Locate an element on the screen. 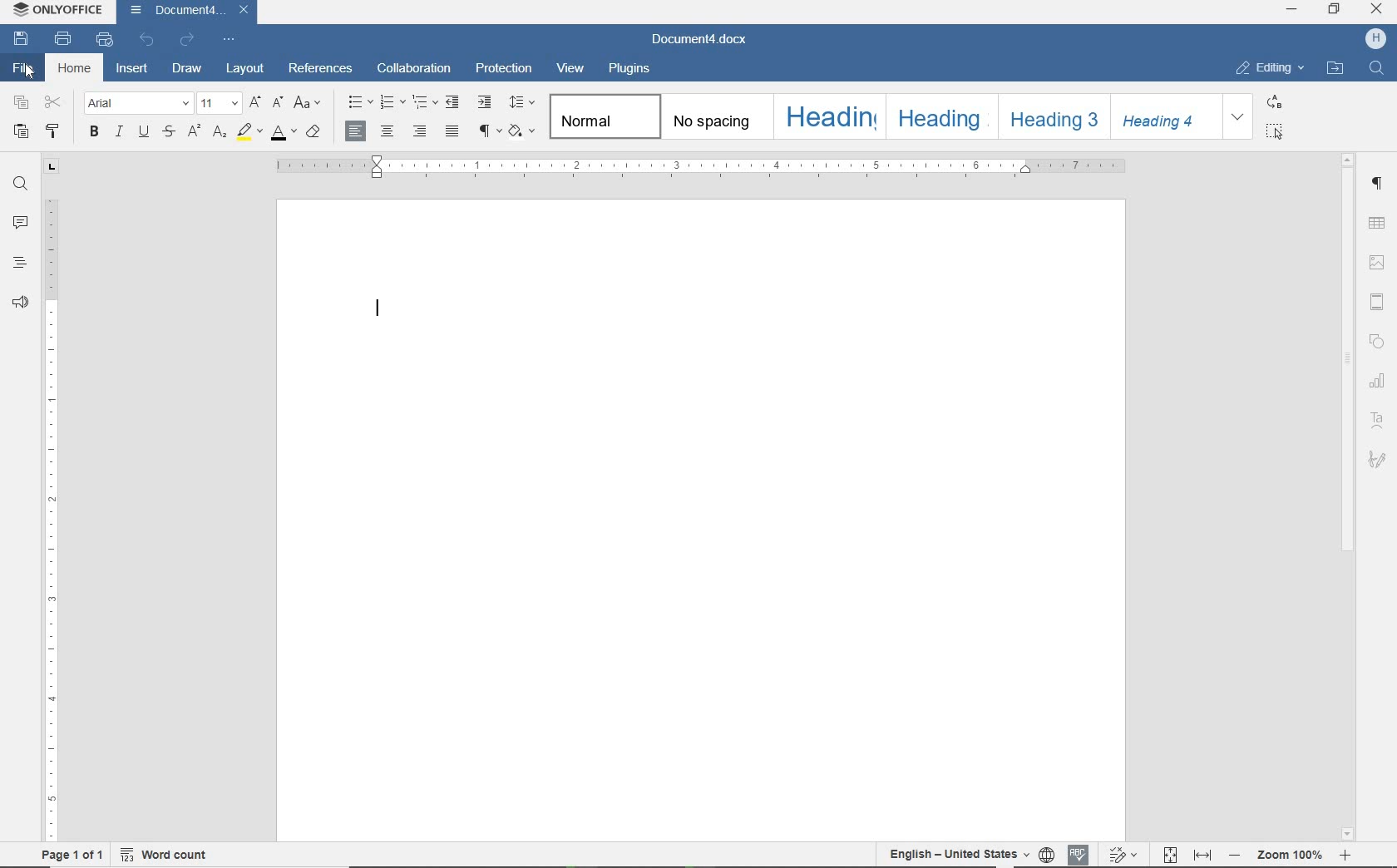  view is located at coordinates (572, 70).